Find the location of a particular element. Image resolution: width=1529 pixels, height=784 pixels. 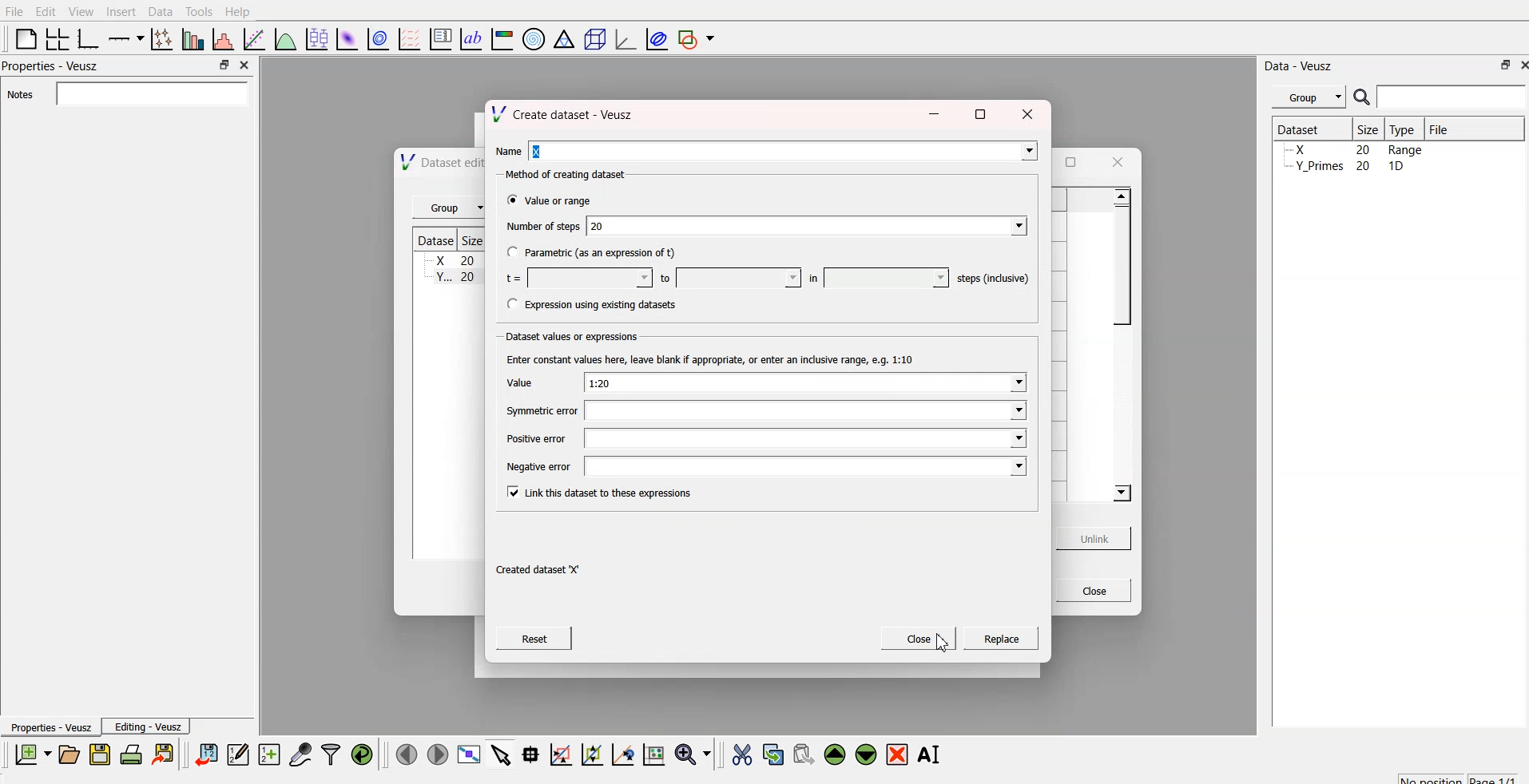

filter data is located at coordinates (331, 752).